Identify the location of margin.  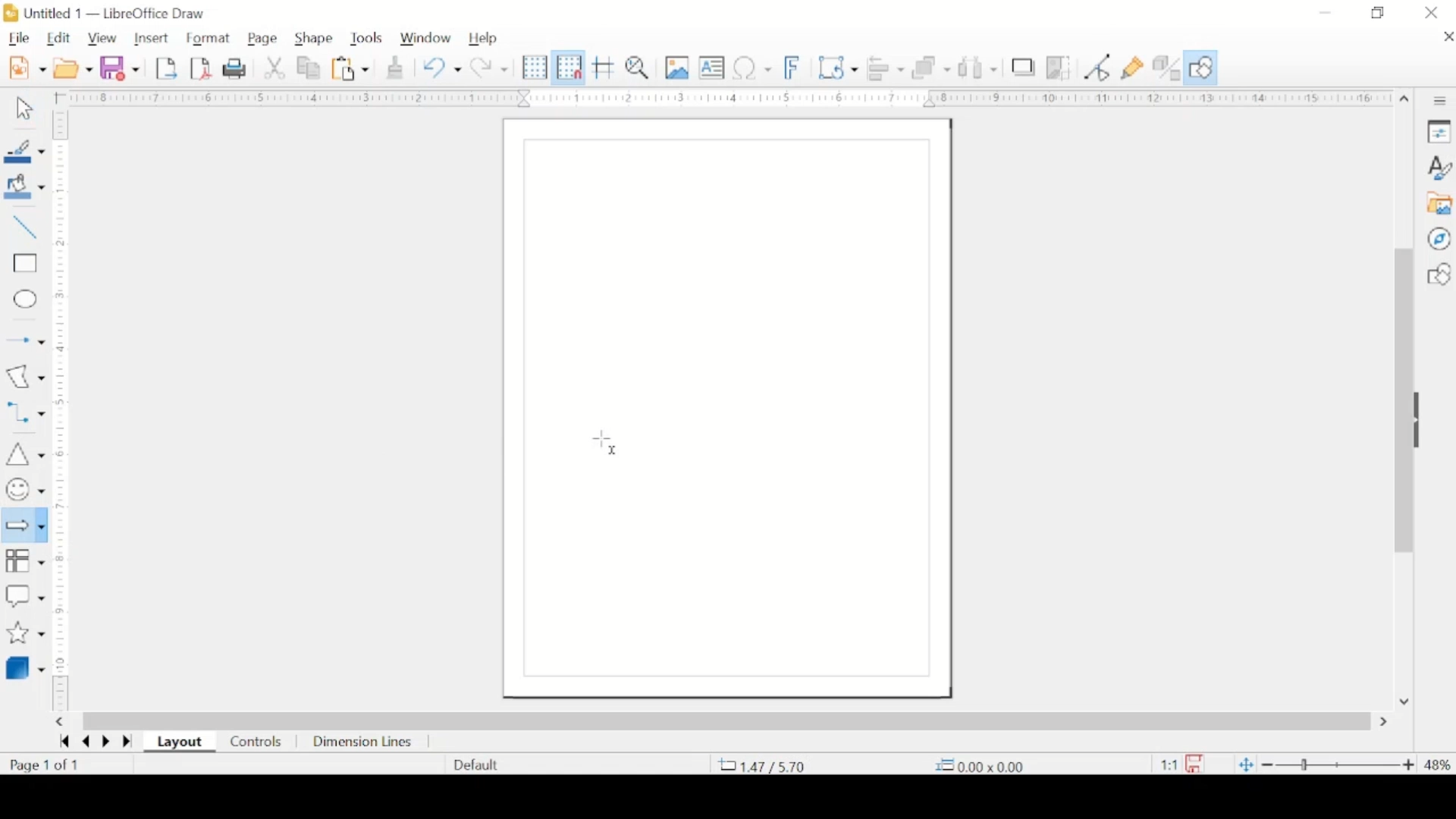
(64, 325).